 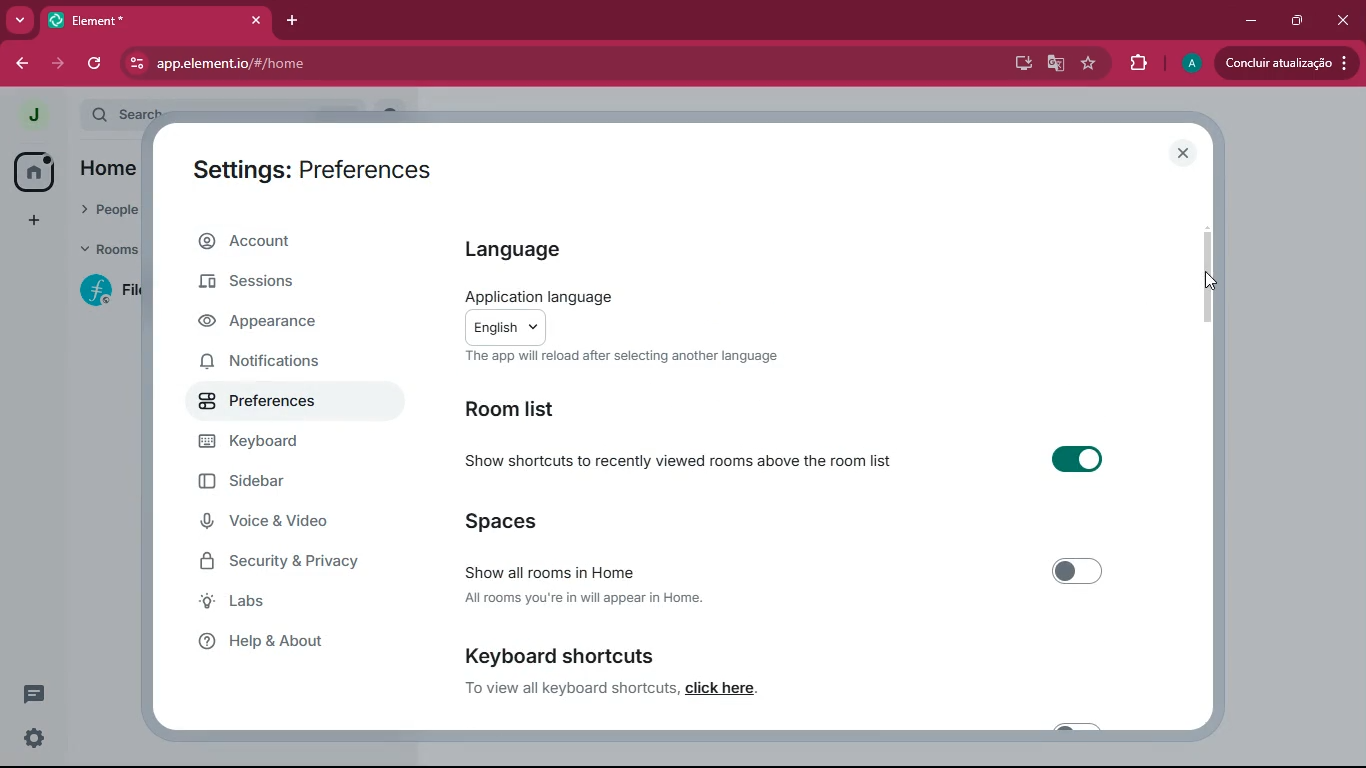 What do you see at coordinates (623, 356) in the screenshot?
I see `text` at bounding box center [623, 356].